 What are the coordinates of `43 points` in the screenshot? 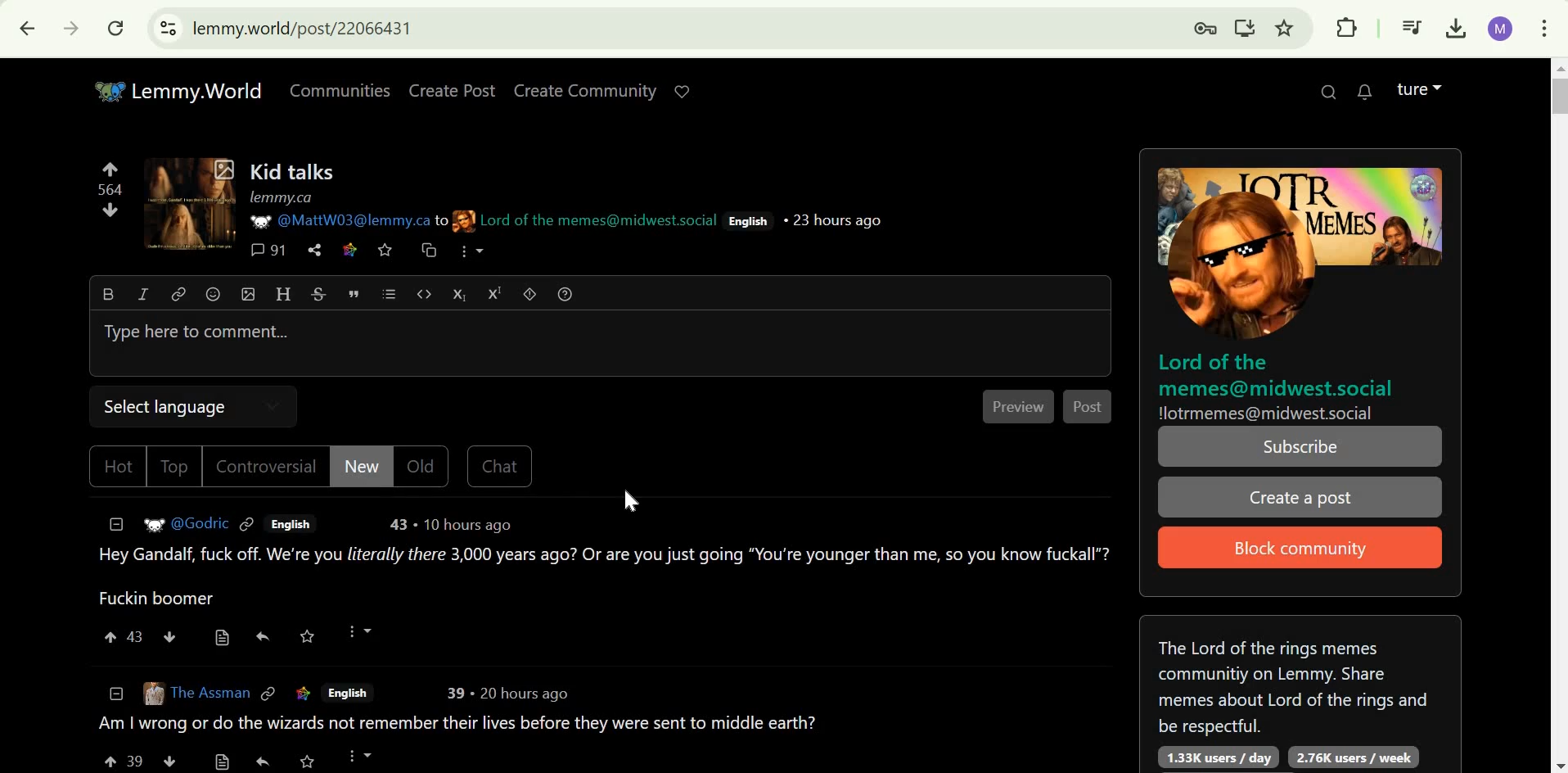 It's located at (137, 636).